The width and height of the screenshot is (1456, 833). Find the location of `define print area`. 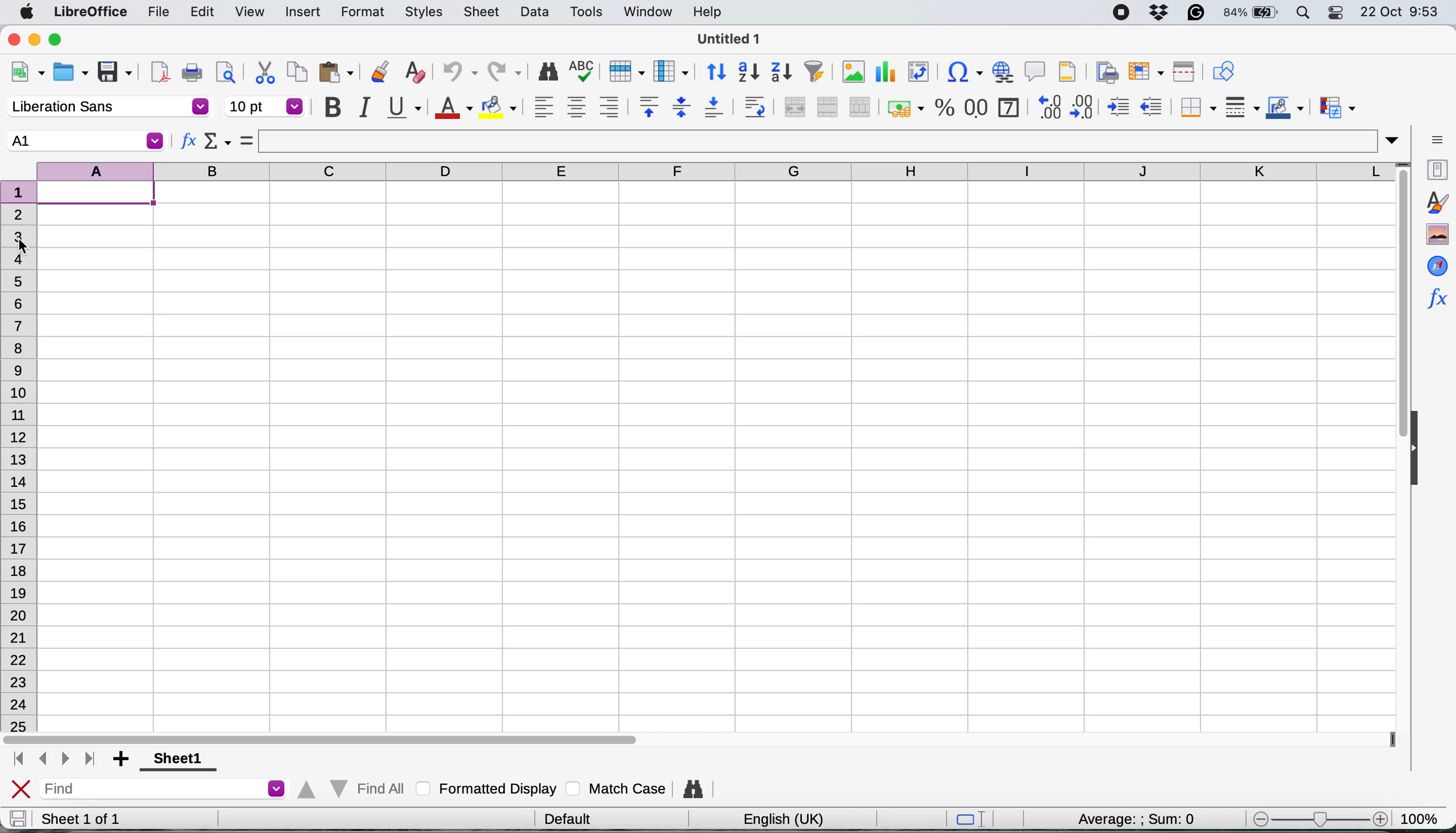

define print area is located at coordinates (1104, 71).